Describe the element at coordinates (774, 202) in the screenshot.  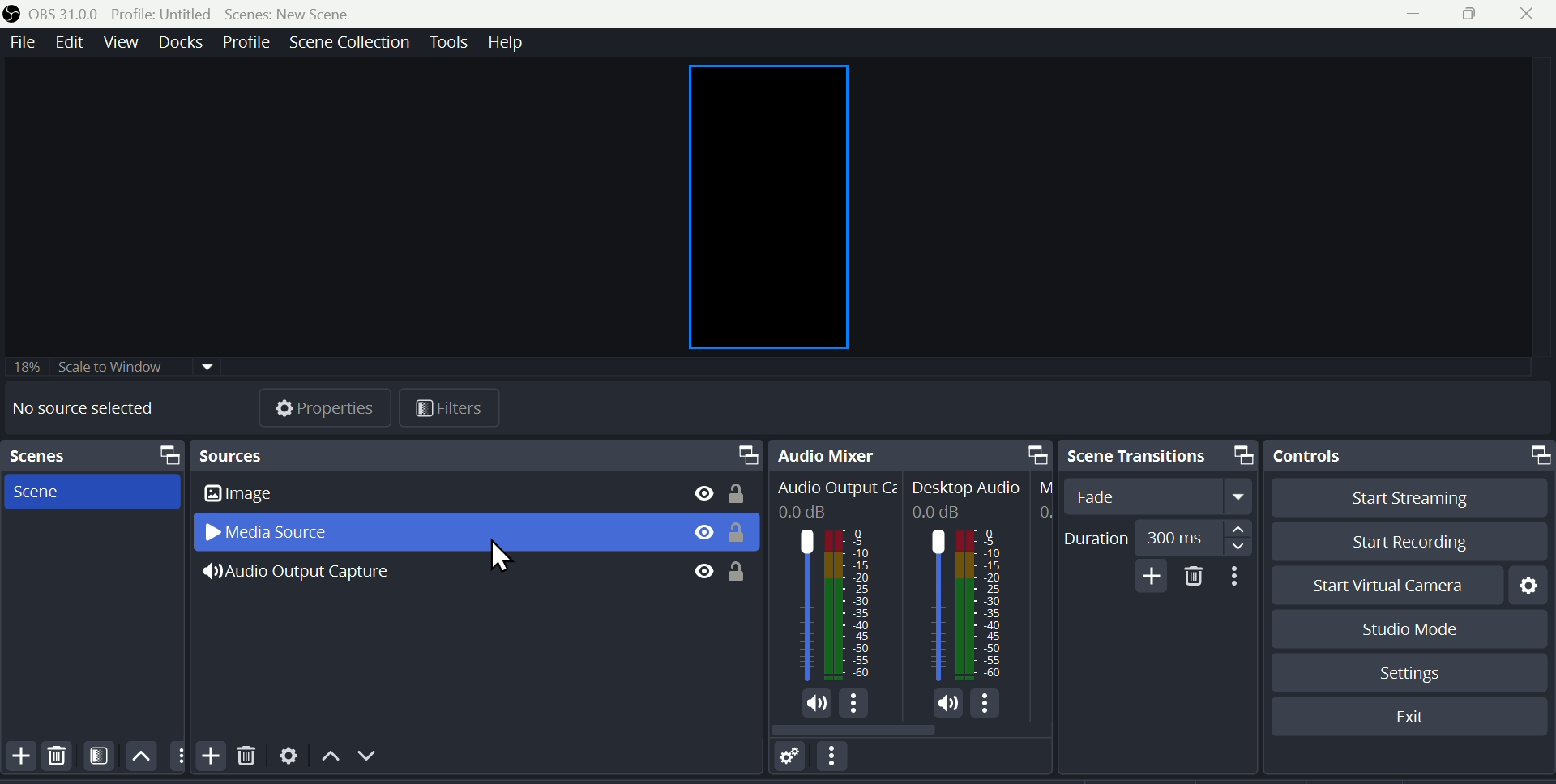
I see `preview screen` at that location.